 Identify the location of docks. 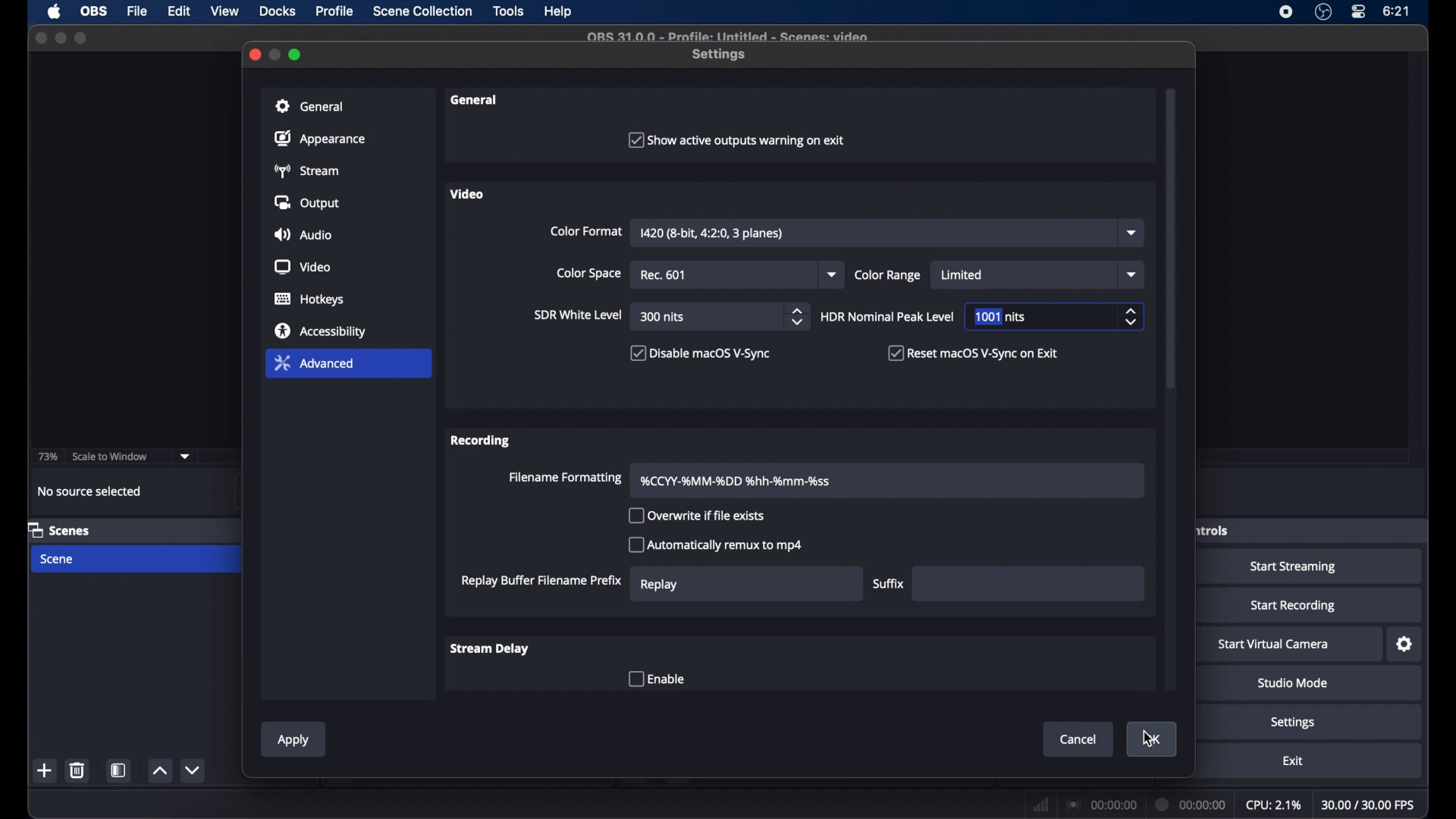
(278, 11).